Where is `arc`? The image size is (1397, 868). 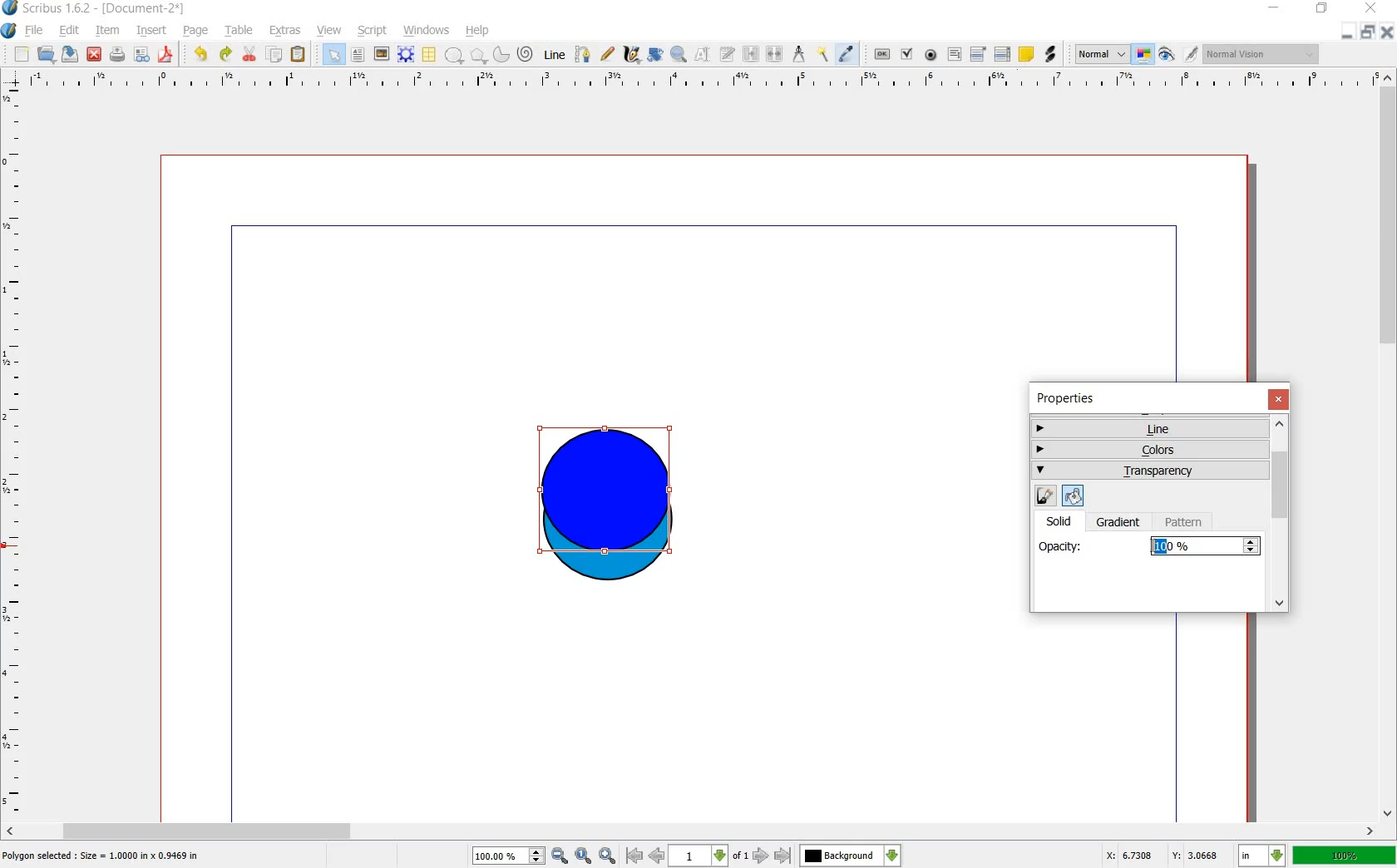
arc is located at coordinates (501, 57).